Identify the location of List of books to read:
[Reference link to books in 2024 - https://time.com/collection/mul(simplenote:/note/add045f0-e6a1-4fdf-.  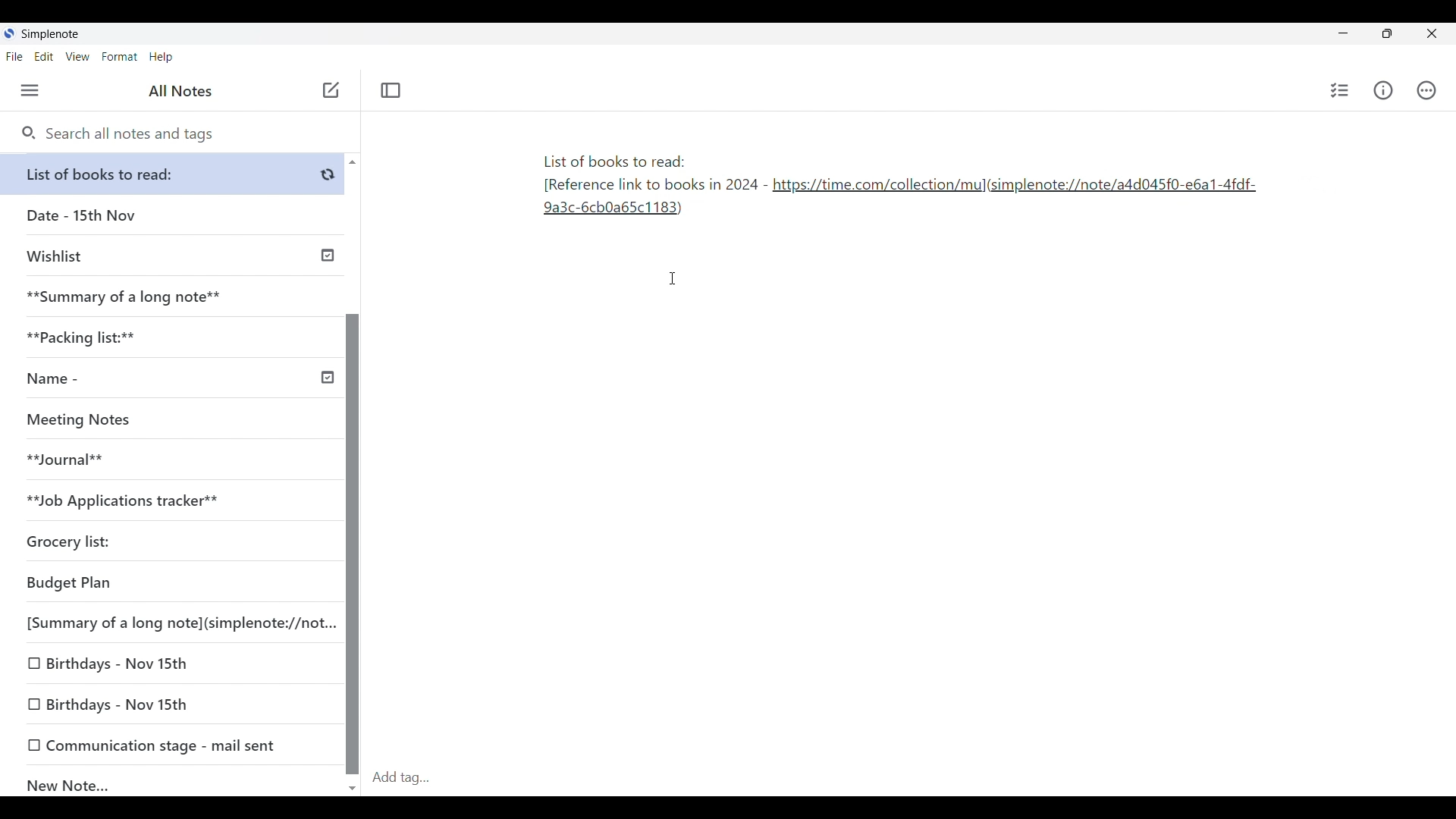
(897, 188).